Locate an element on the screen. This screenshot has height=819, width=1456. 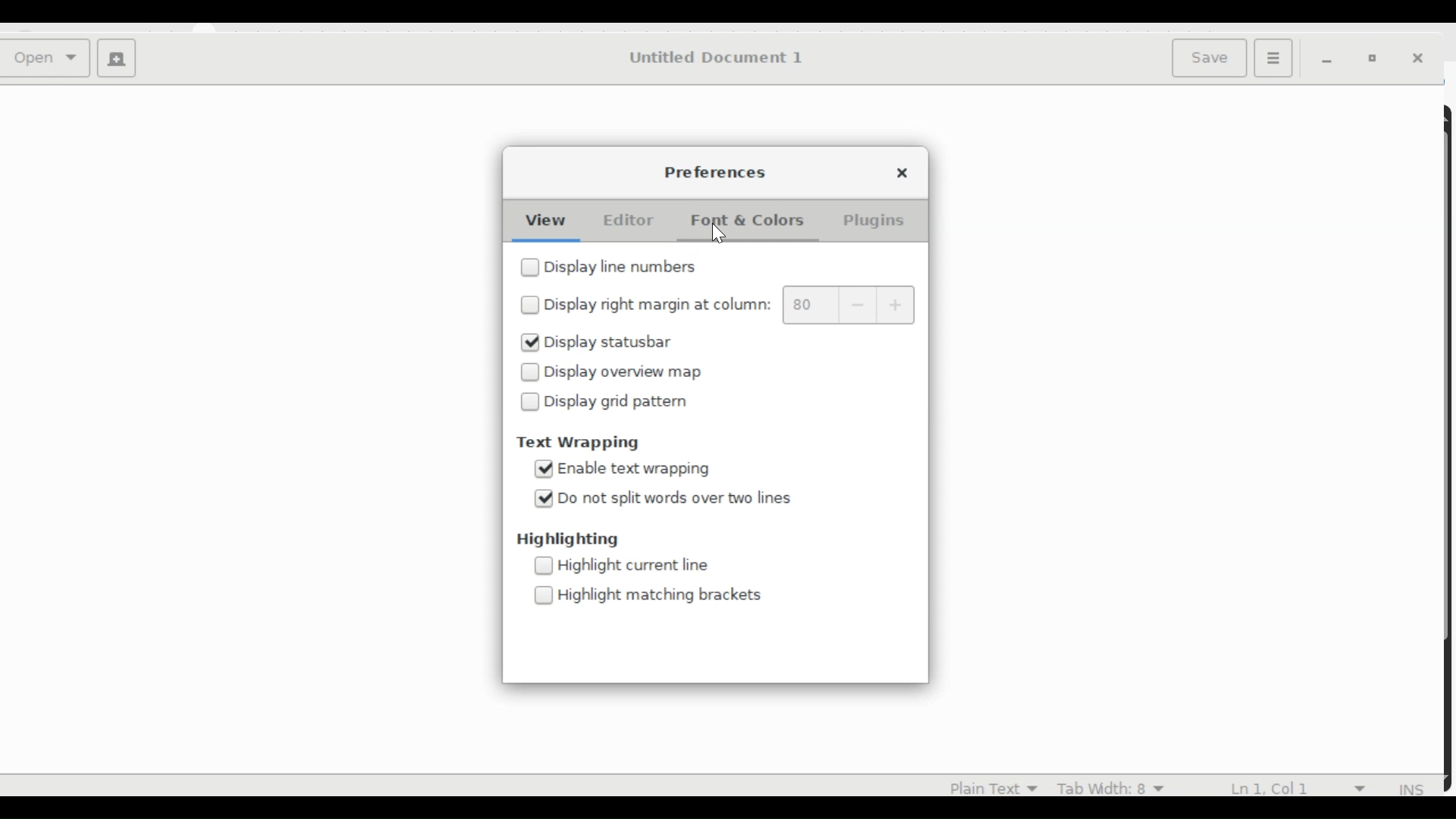
Display grid pattern is located at coordinates (621, 402).